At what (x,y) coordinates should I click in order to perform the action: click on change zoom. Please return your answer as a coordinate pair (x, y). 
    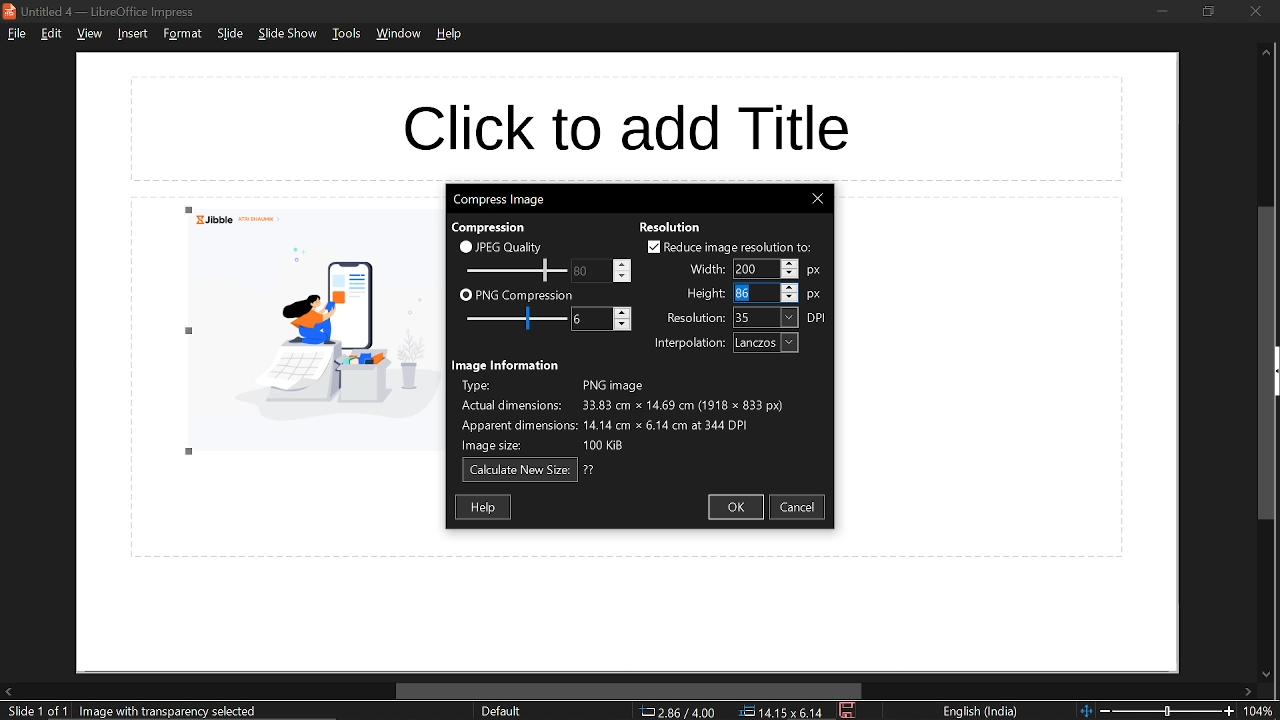
    Looking at the image, I should click on (1157, 711).